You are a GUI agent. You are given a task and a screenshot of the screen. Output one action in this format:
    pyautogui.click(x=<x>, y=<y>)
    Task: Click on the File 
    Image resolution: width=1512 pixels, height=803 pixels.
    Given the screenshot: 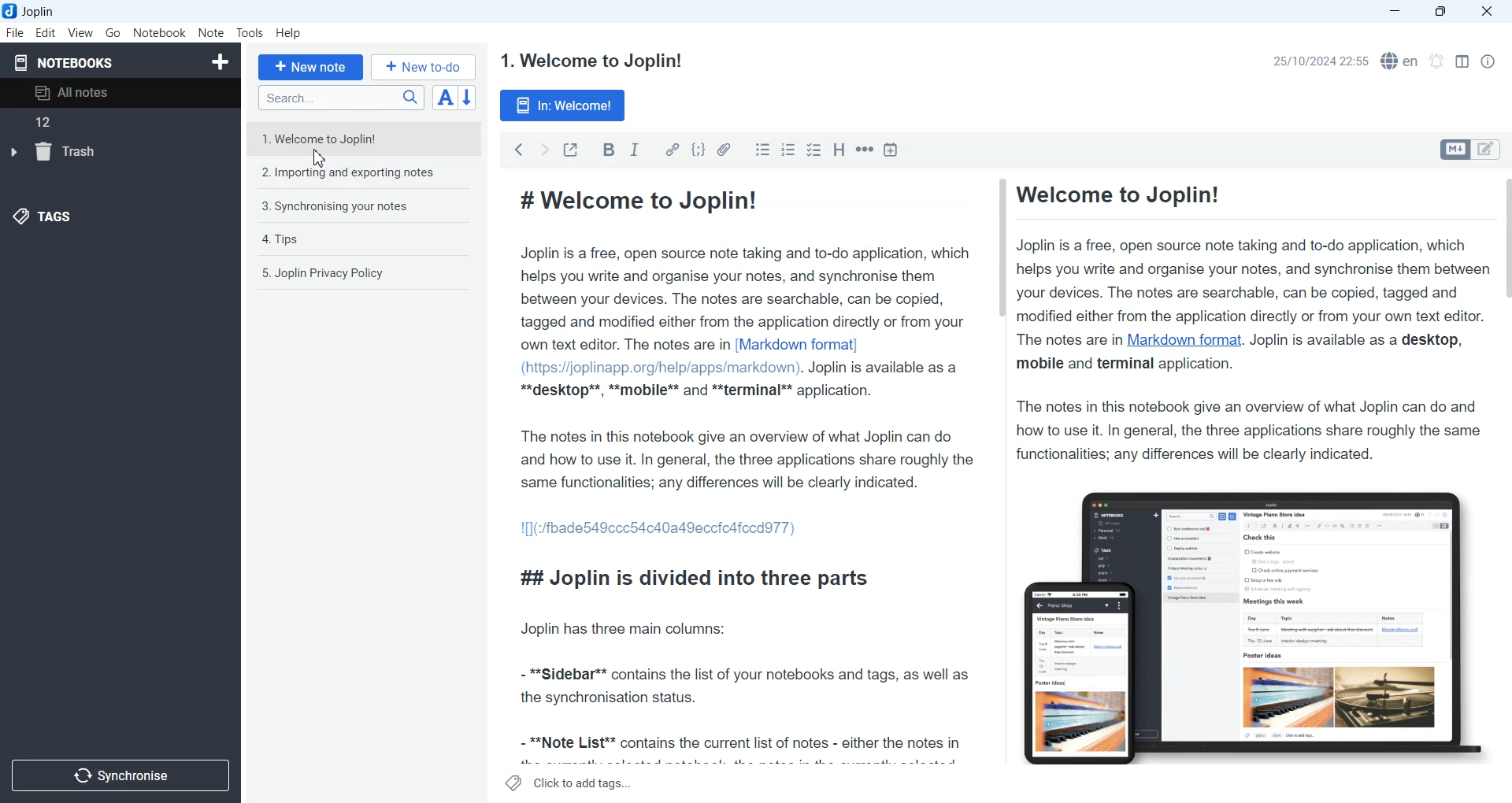 What is the action you would take?
    pyautogui.click(x=14, y=32)
    